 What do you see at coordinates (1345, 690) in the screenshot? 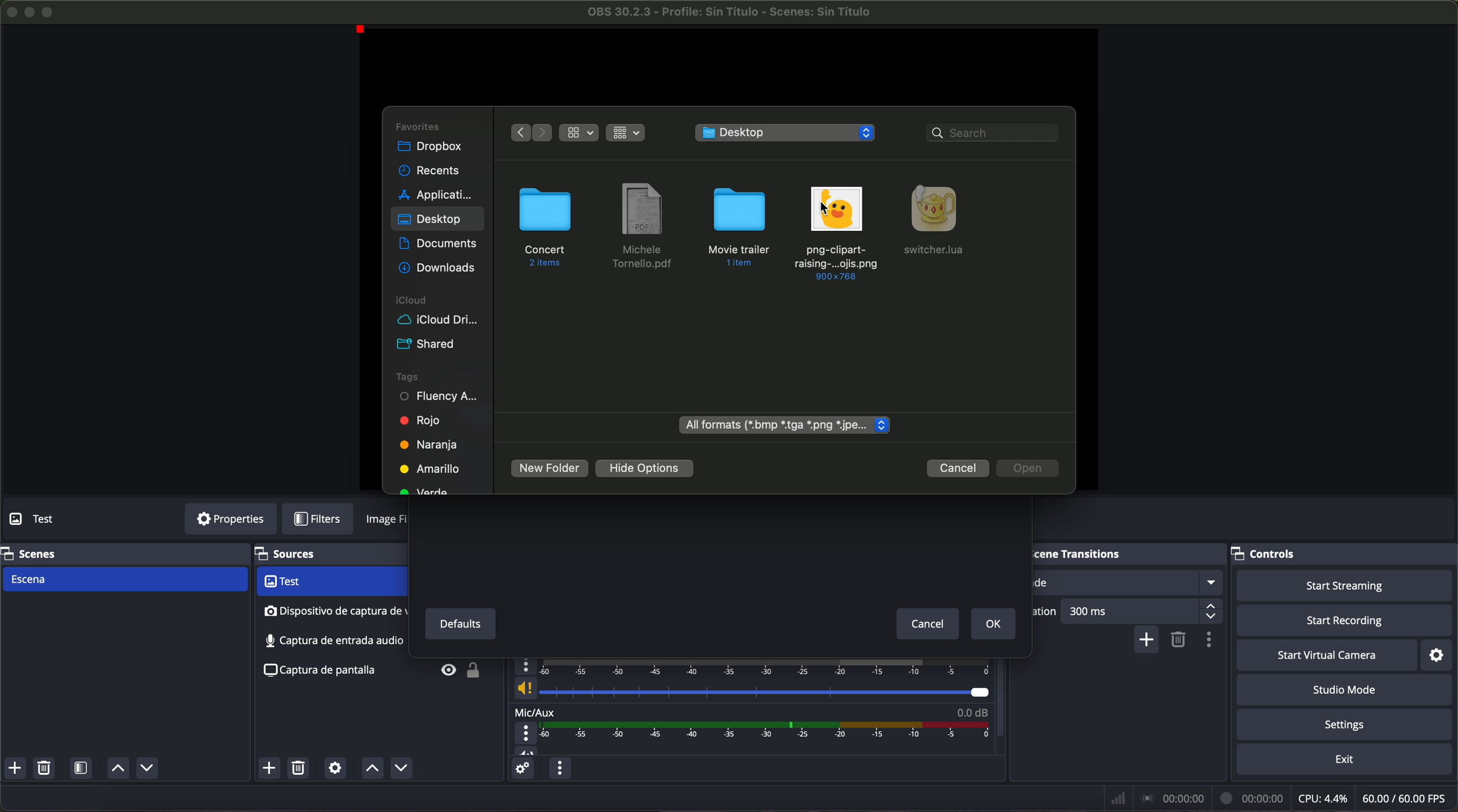
I see `studio mode` at bounding box center [1345, 690].